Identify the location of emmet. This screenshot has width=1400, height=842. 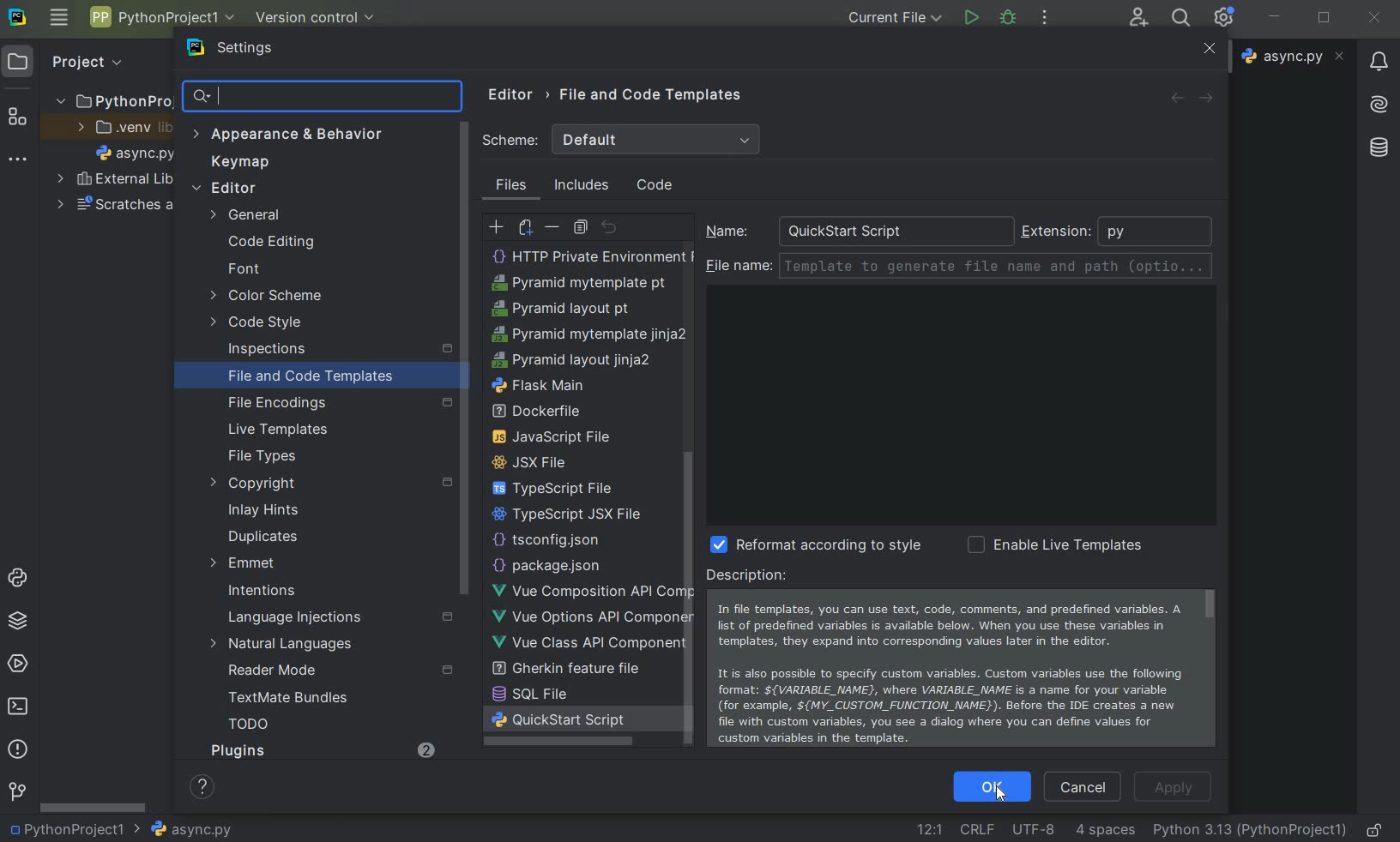
(259, 564).